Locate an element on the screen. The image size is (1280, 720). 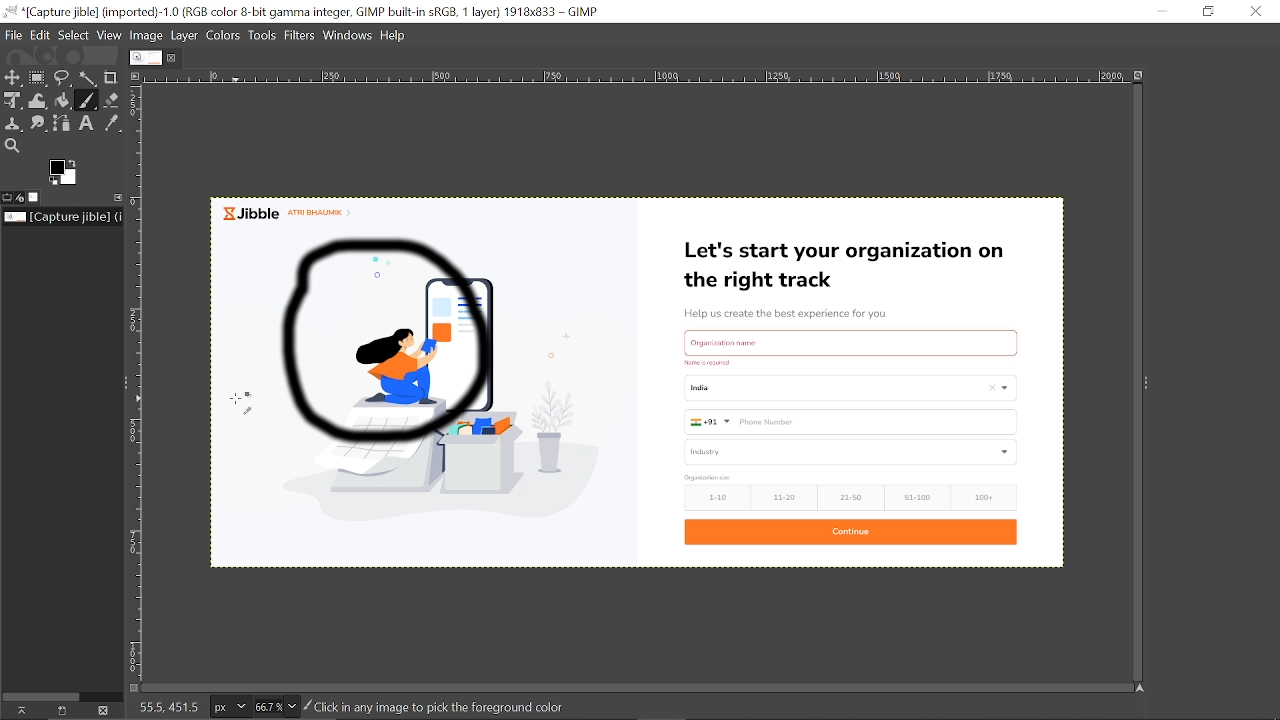
Raise this images displays is located at coordinates (19, 710).